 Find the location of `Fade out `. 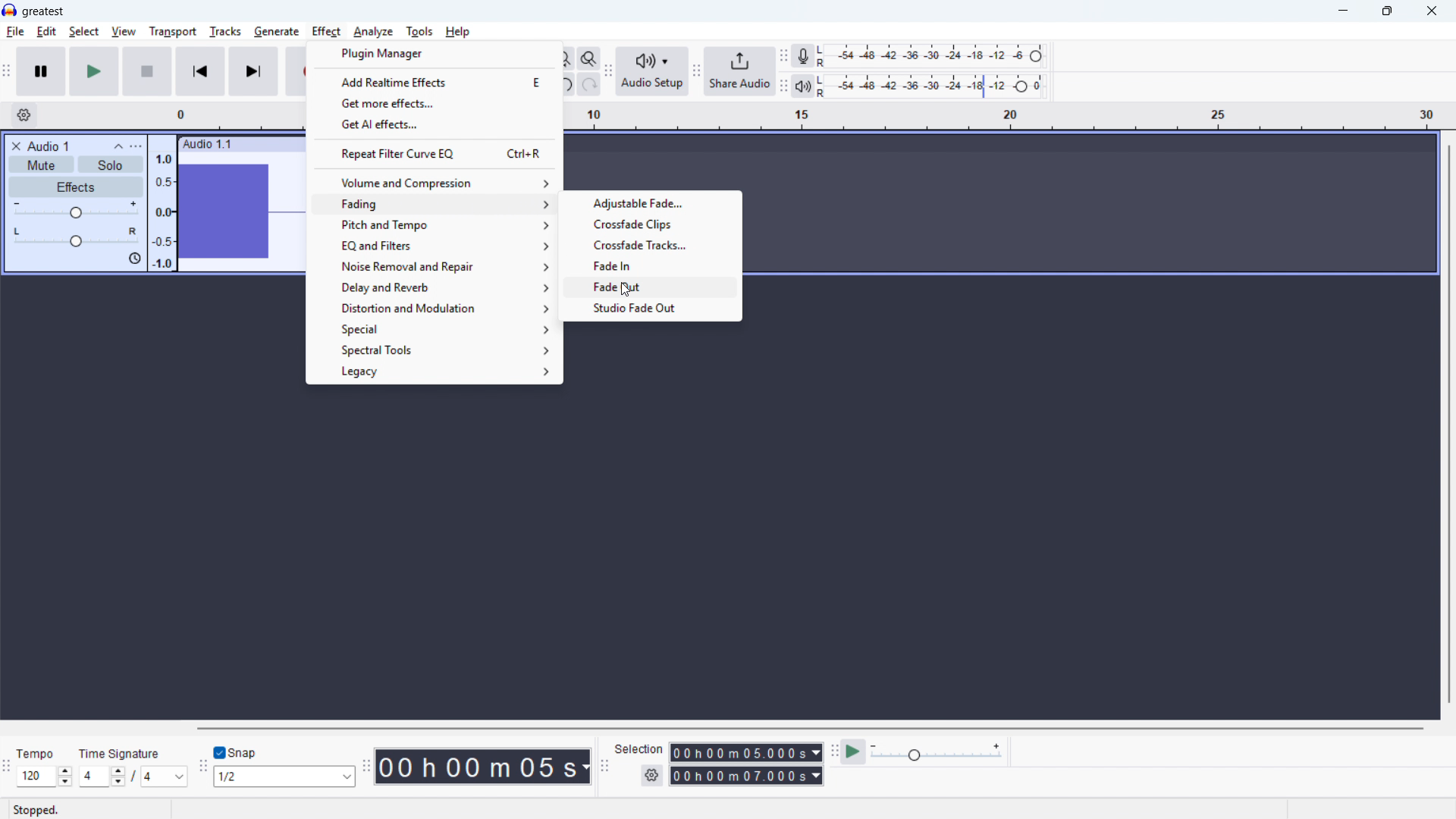

Fade out  is located at coordinates (651, 285).